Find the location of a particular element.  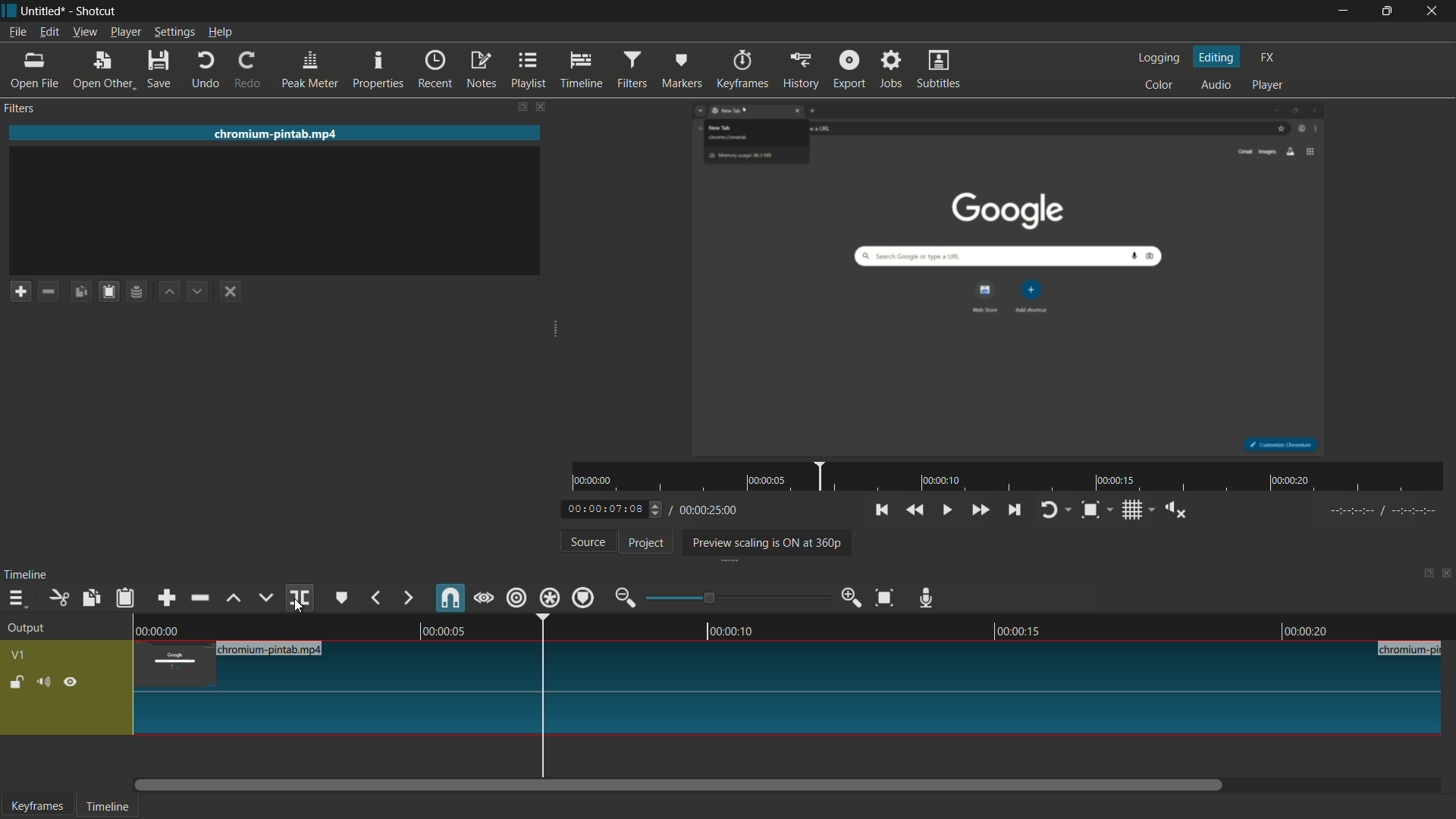

color is located at coordinates (1161, 84).